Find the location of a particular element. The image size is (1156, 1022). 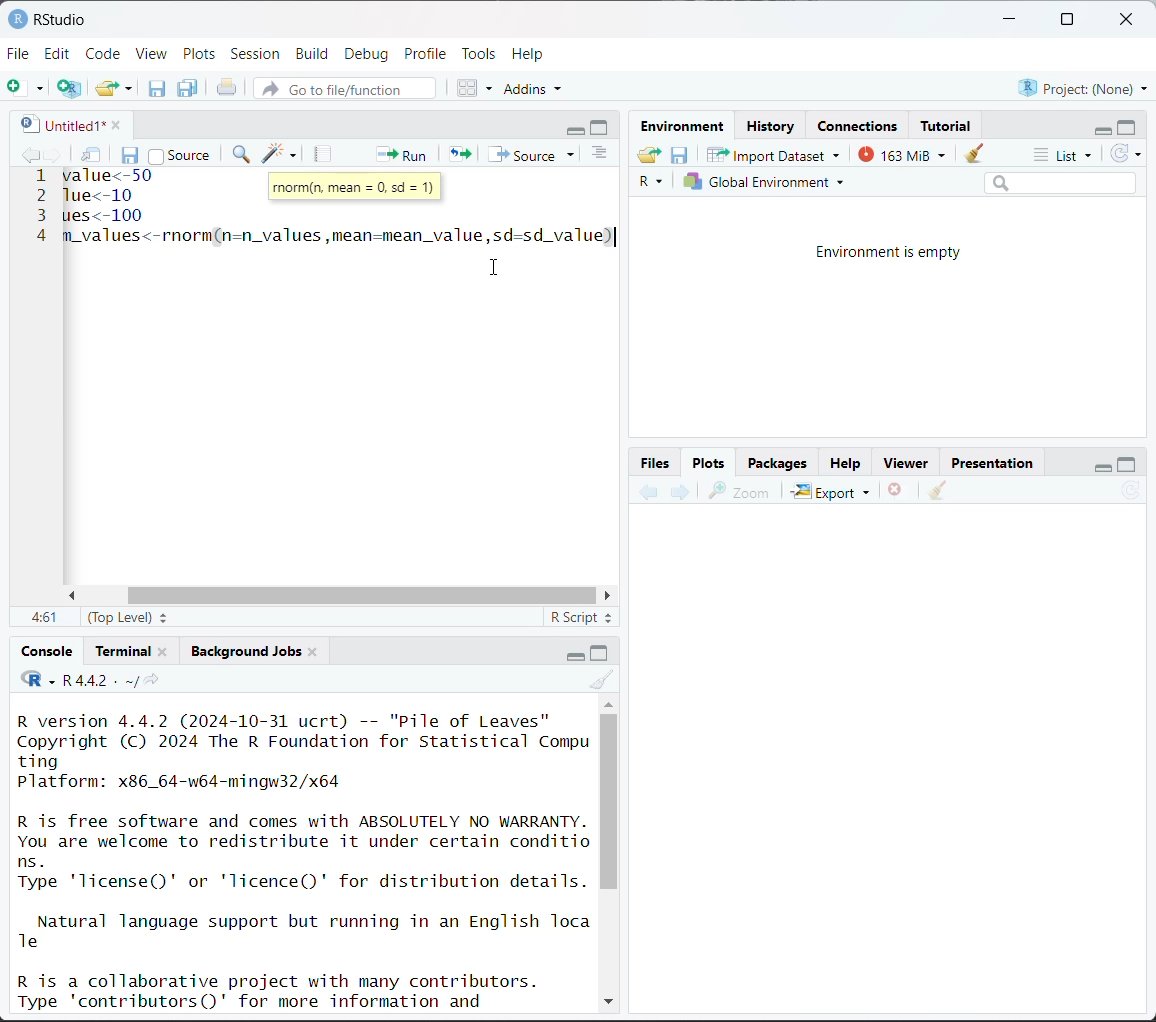

addins is located at coordinates (536, 88).